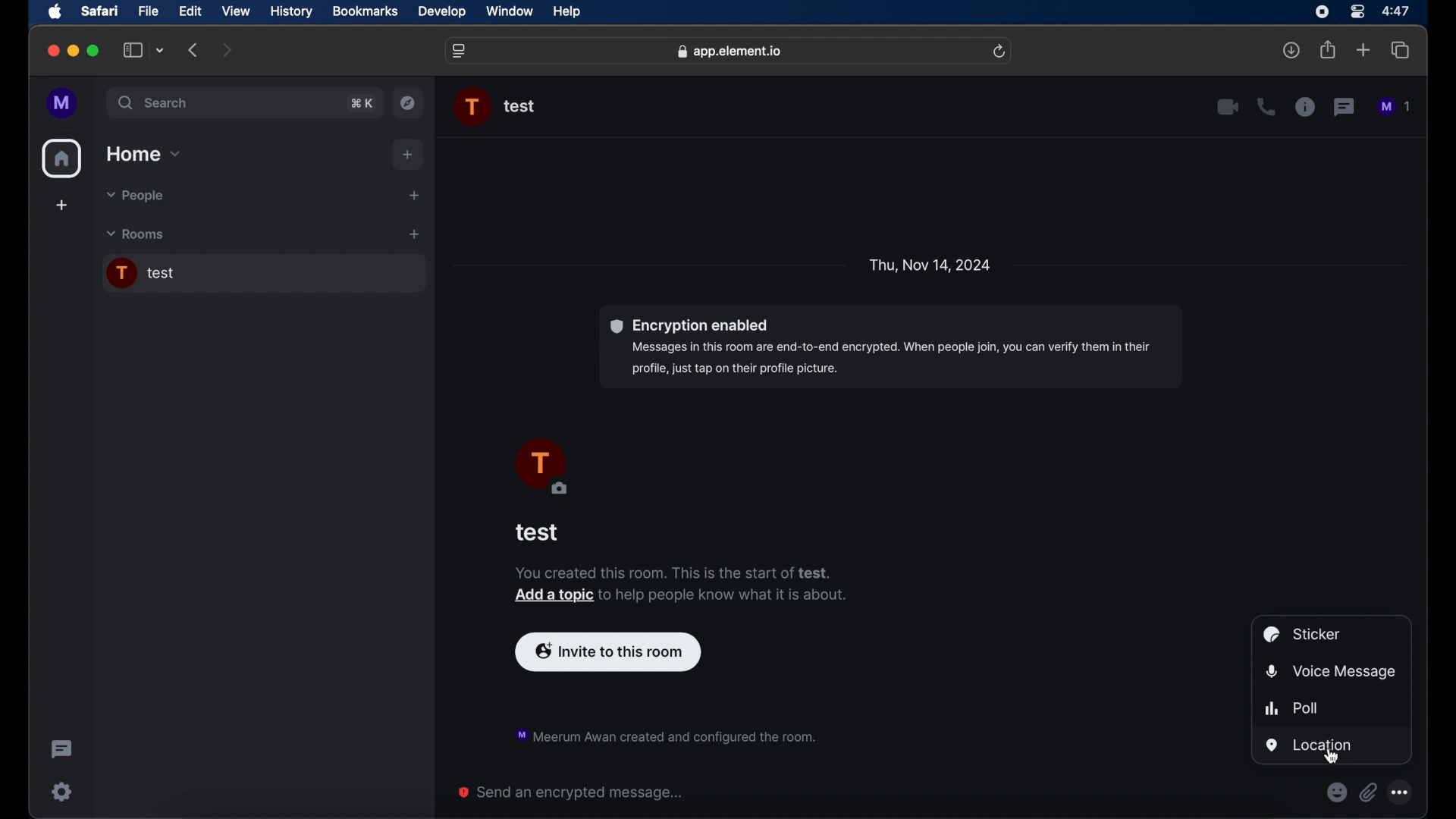 The image size is (1456, 819). What do you see at coordinates (409, 155) in the screenshot?
I see `add` at bounding box center [409, 155].